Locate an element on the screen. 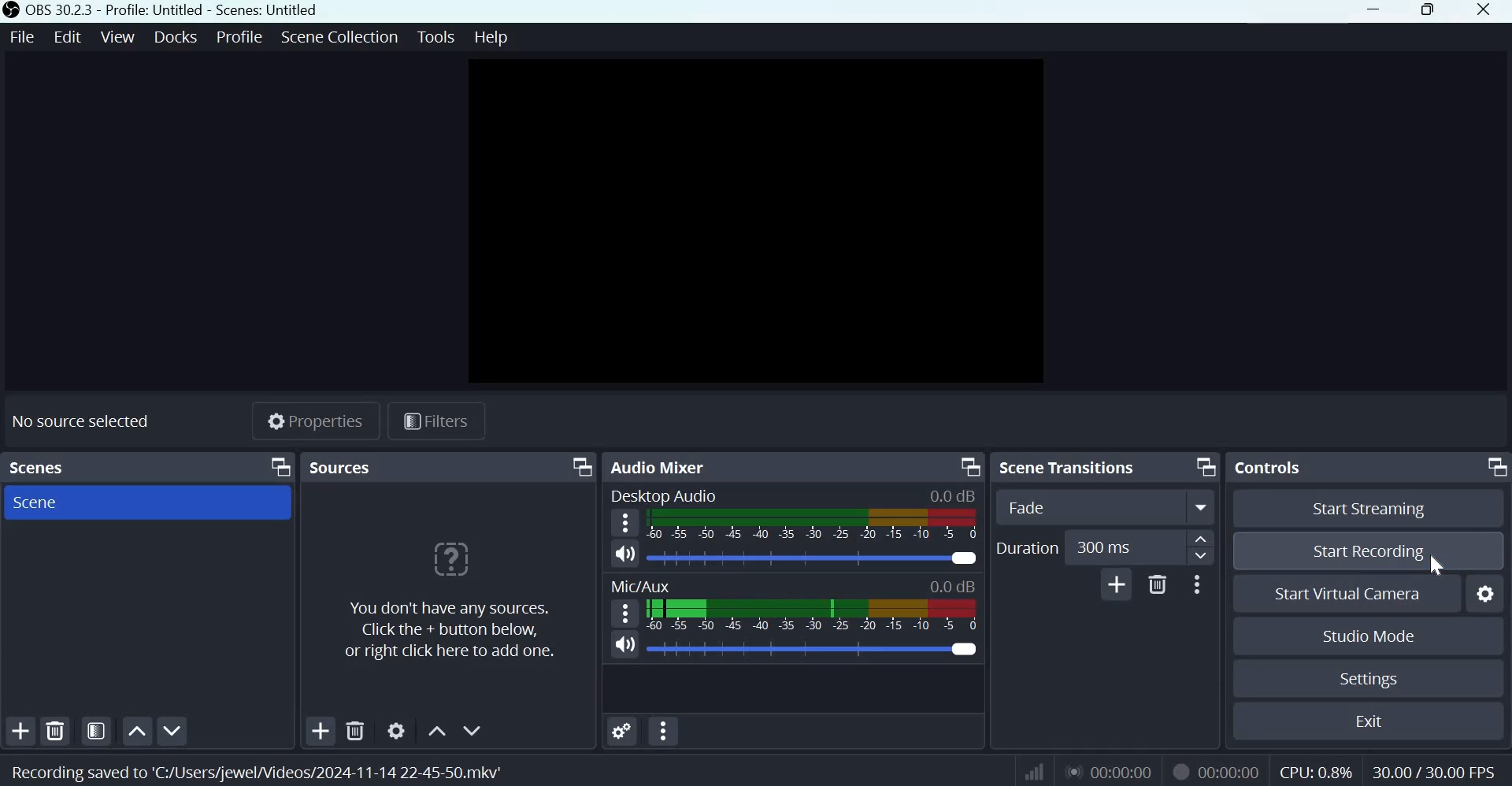  File is located at coordinates (23, 37).